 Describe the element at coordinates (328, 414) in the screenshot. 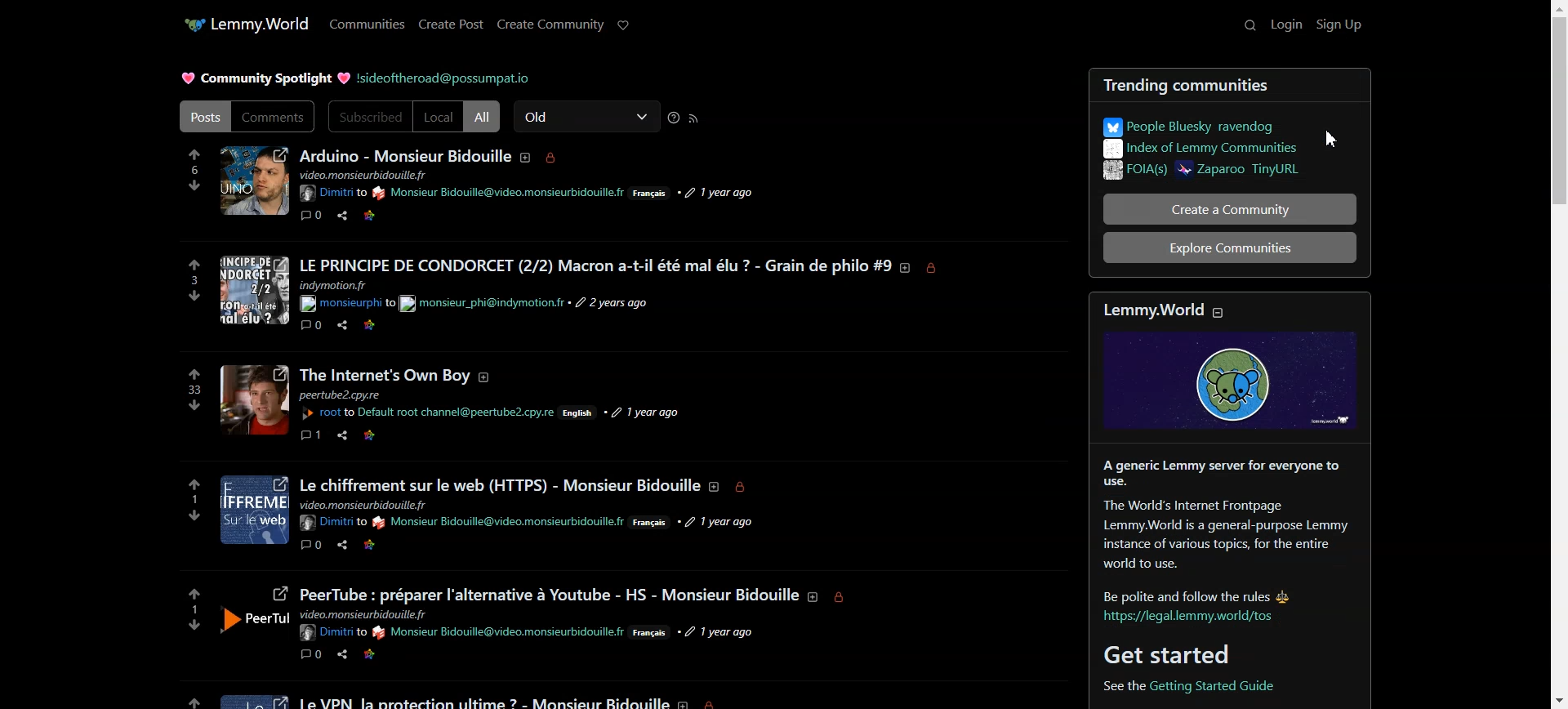

I see `hyperlink` at that location.